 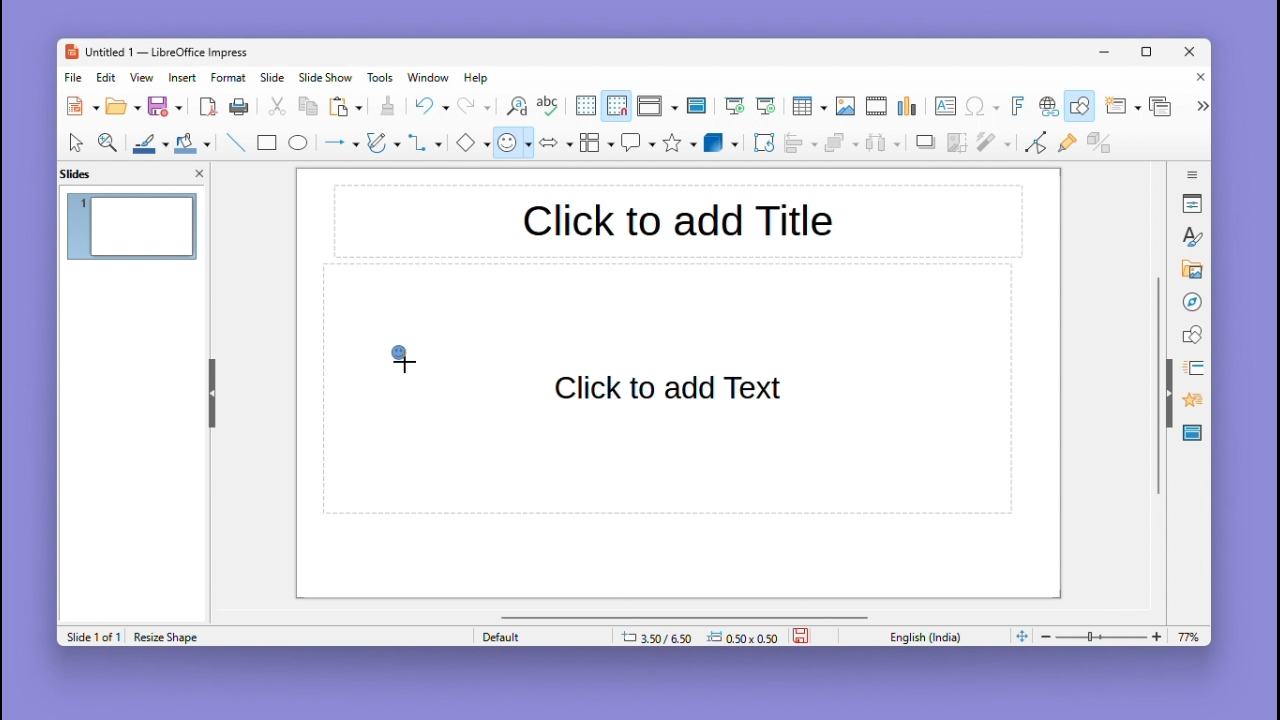 I want to click on snap to grid, so click(x=616, y=106).